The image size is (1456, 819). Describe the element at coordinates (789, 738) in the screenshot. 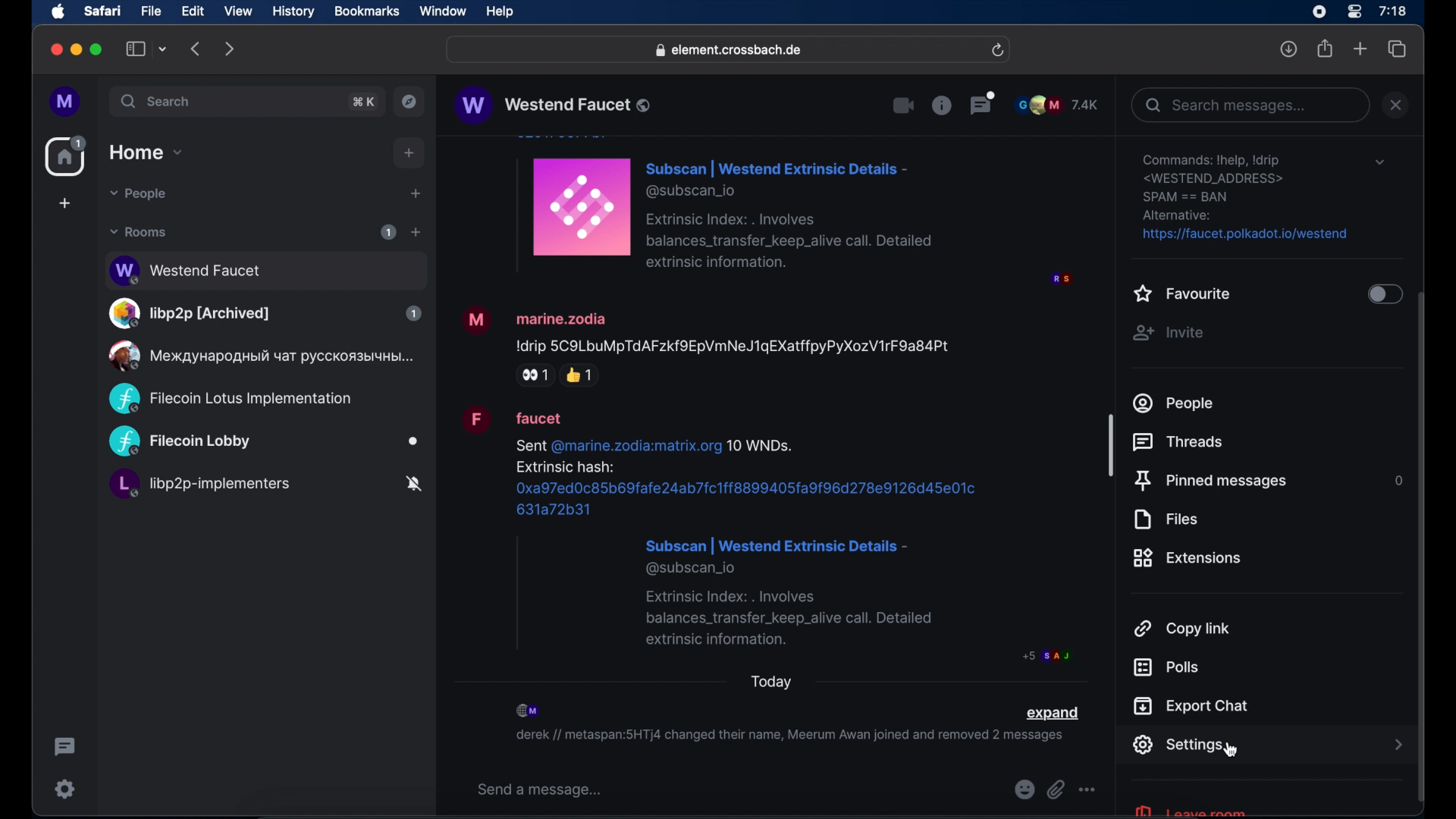

I see `room notification` at that location.